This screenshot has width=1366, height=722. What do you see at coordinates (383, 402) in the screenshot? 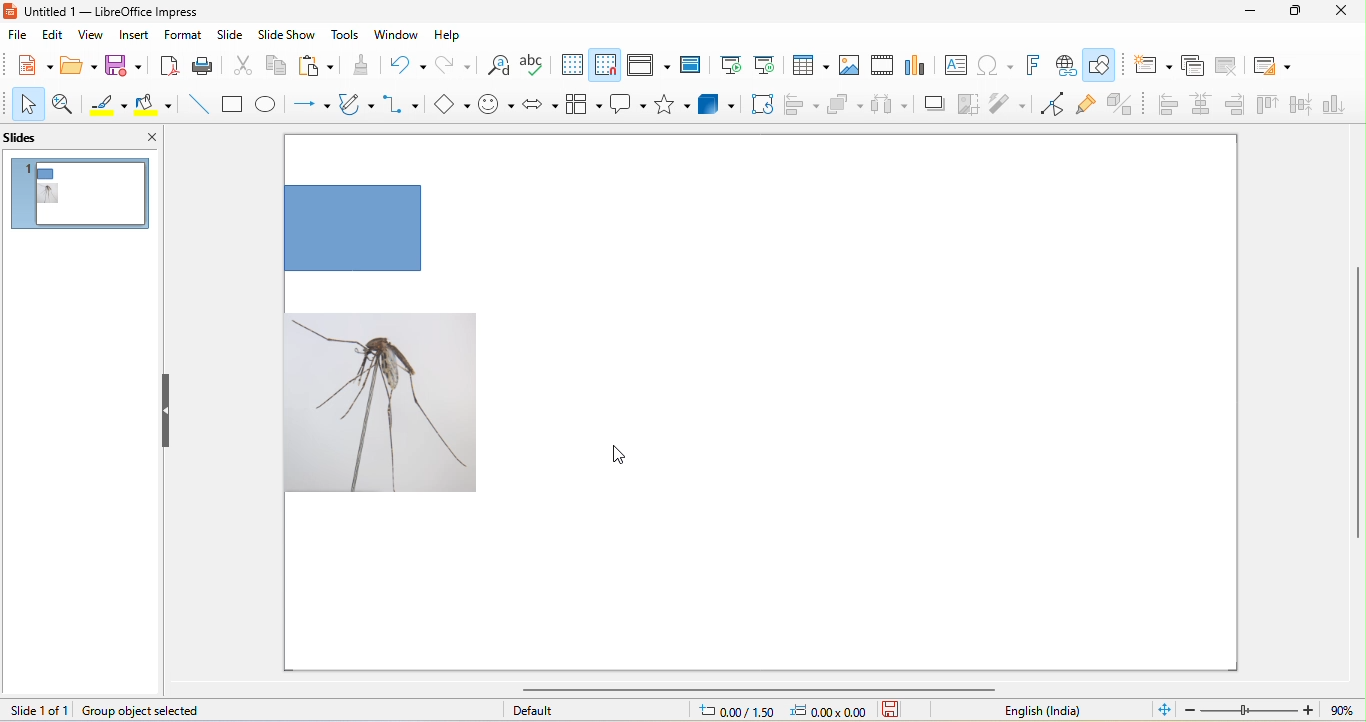
I see `picture` at bounding box center [383, 402].